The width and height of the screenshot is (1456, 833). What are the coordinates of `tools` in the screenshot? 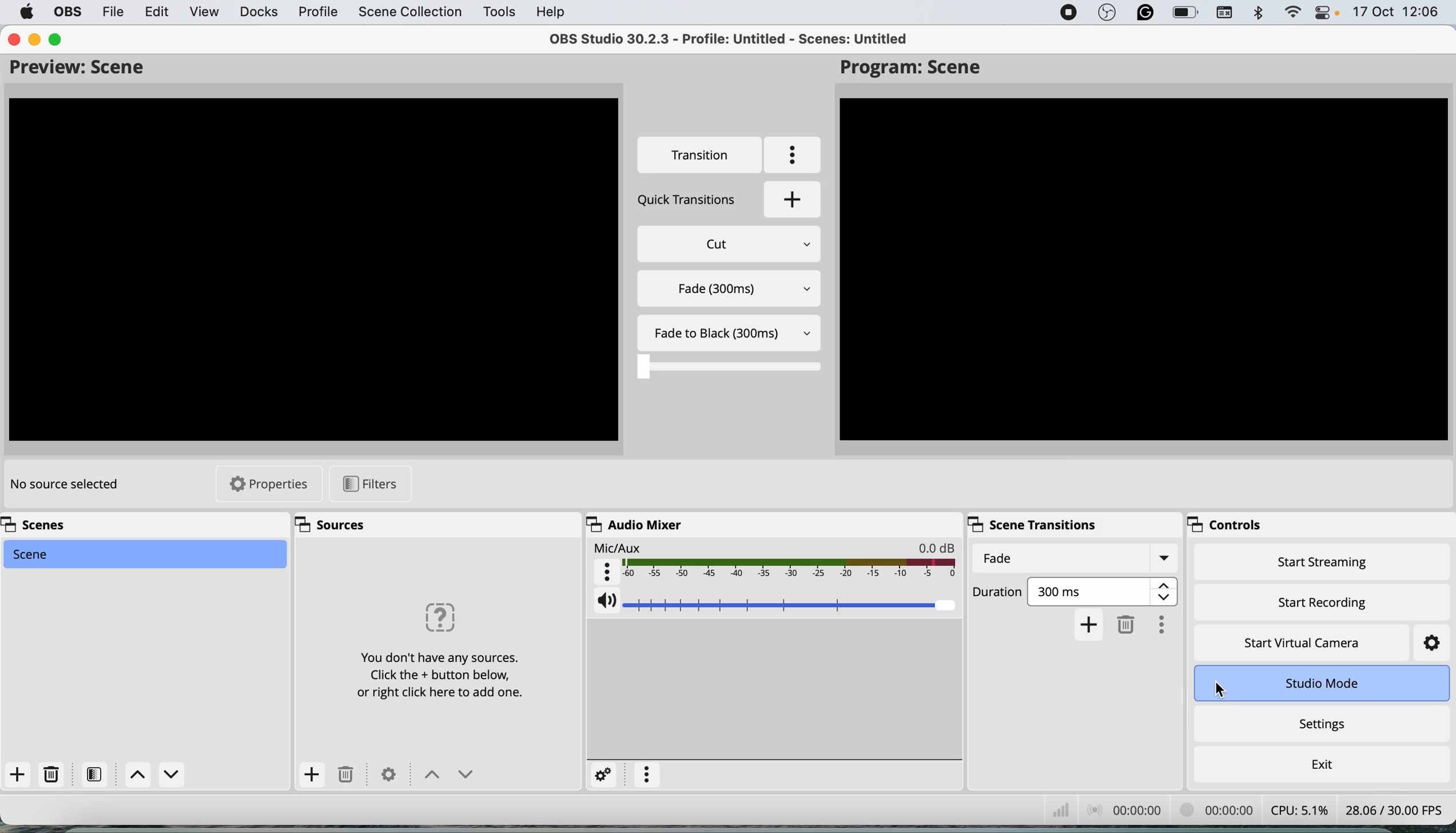 It's located at (501, 11).